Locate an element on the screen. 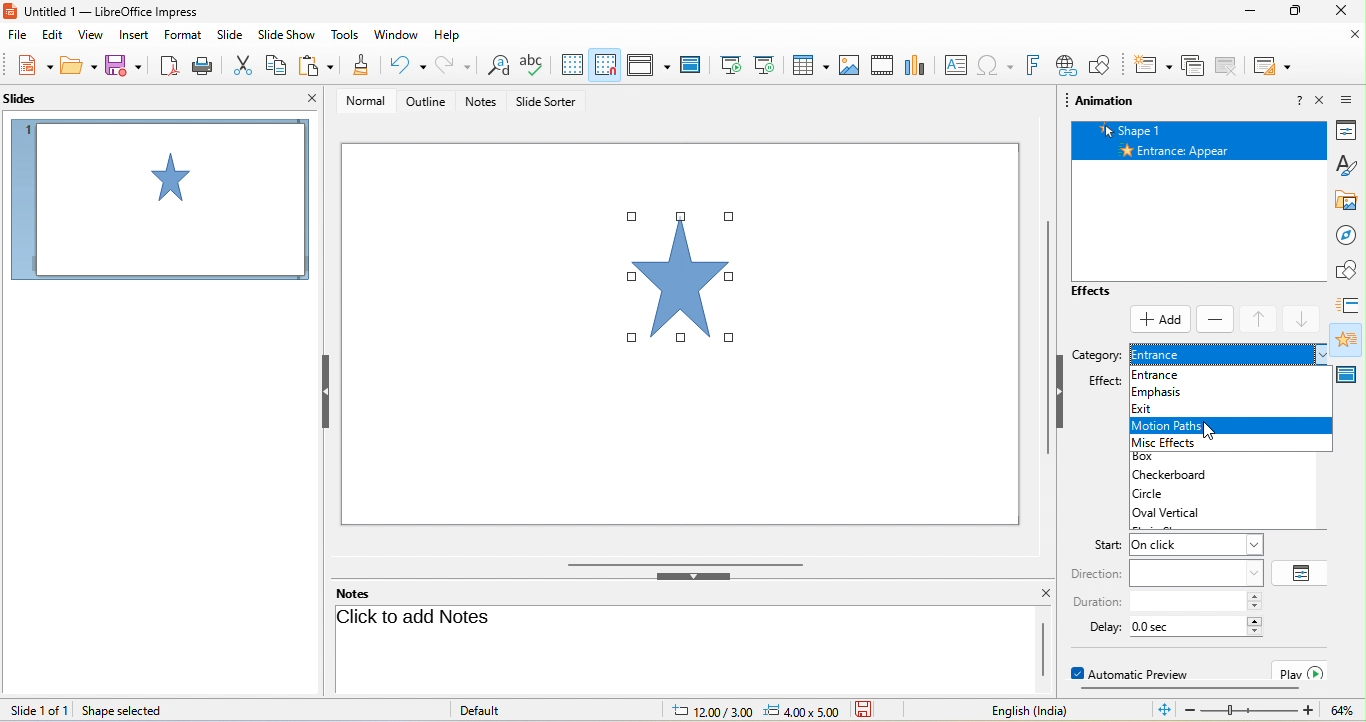 This screenshot has width=1366, height=722. find and replace is located at coordinates (497, 65).